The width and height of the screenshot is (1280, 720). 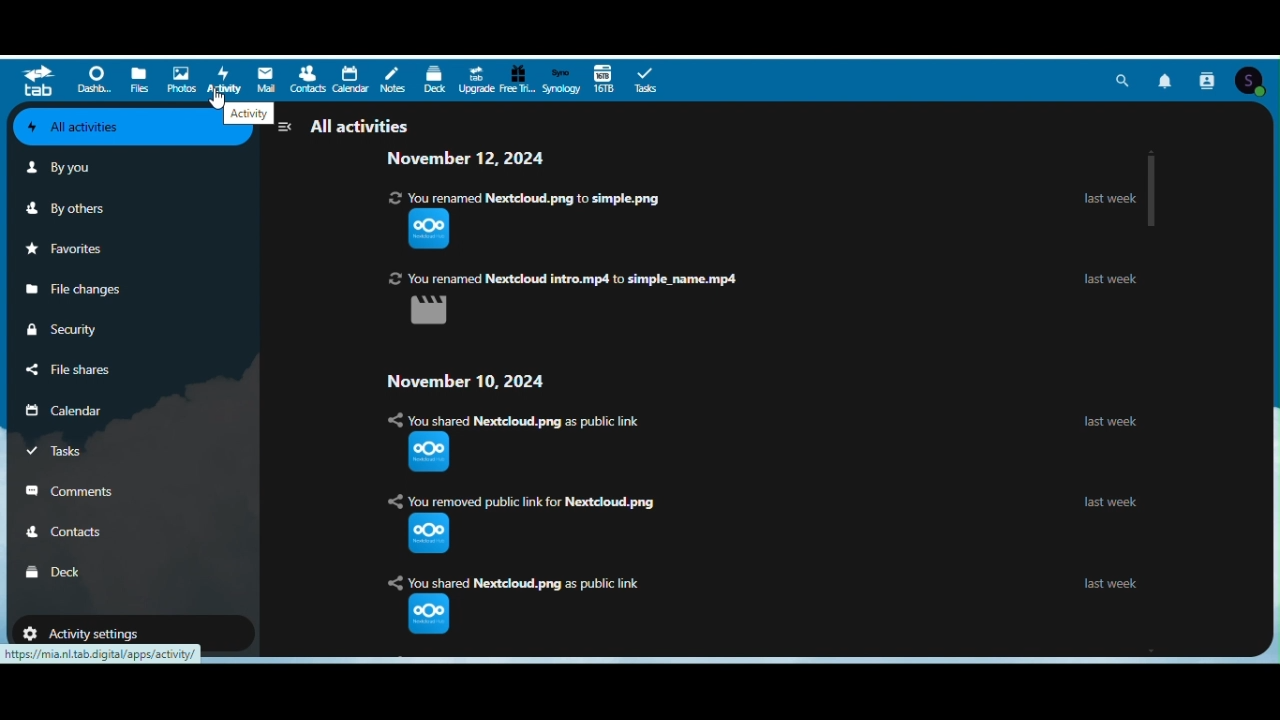 What do you see at coordinates (73, 250) in the screenshot?
I see `Favorites` at bounding box center [73, 250].